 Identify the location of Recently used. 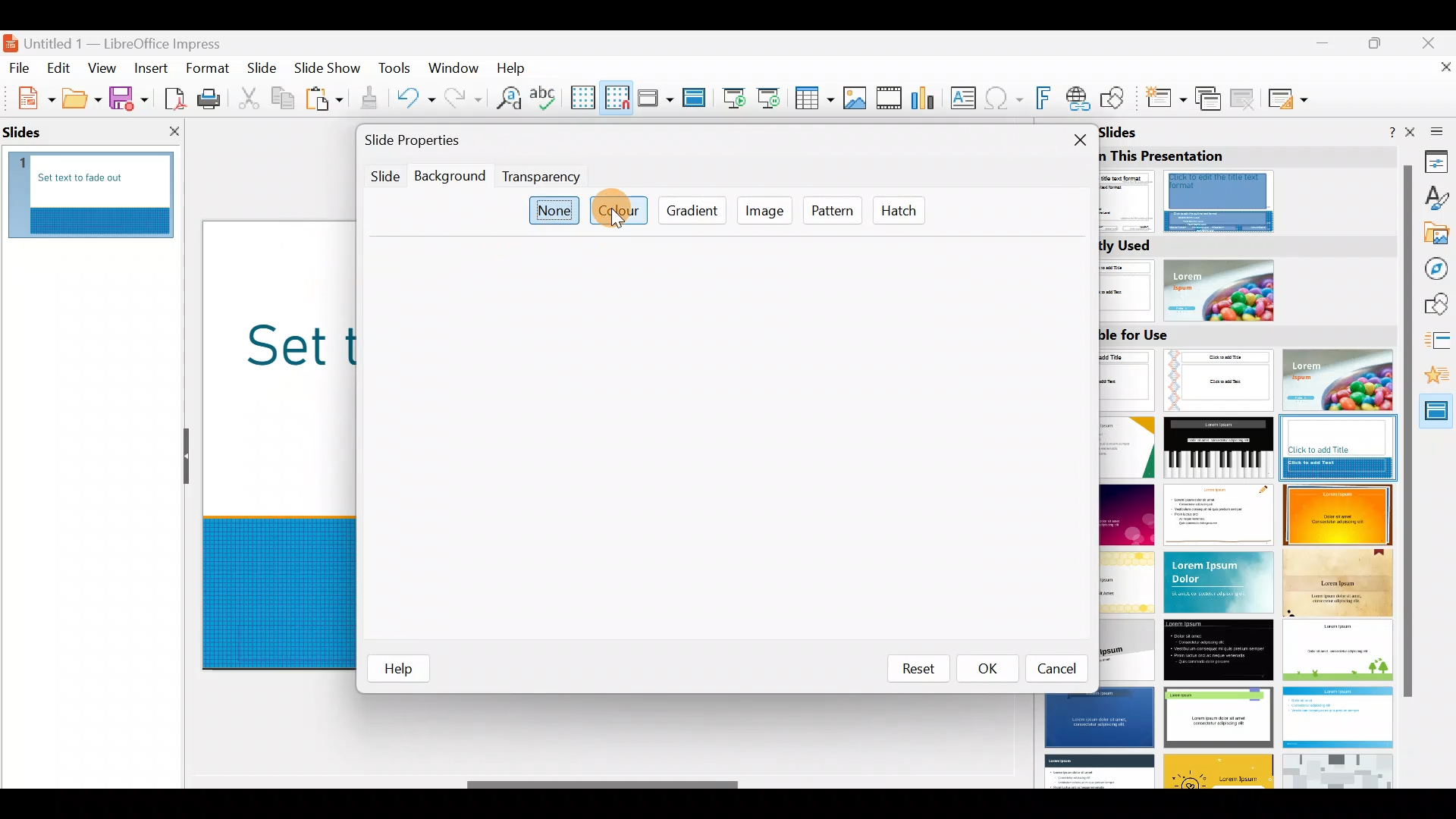
(1241, 278).